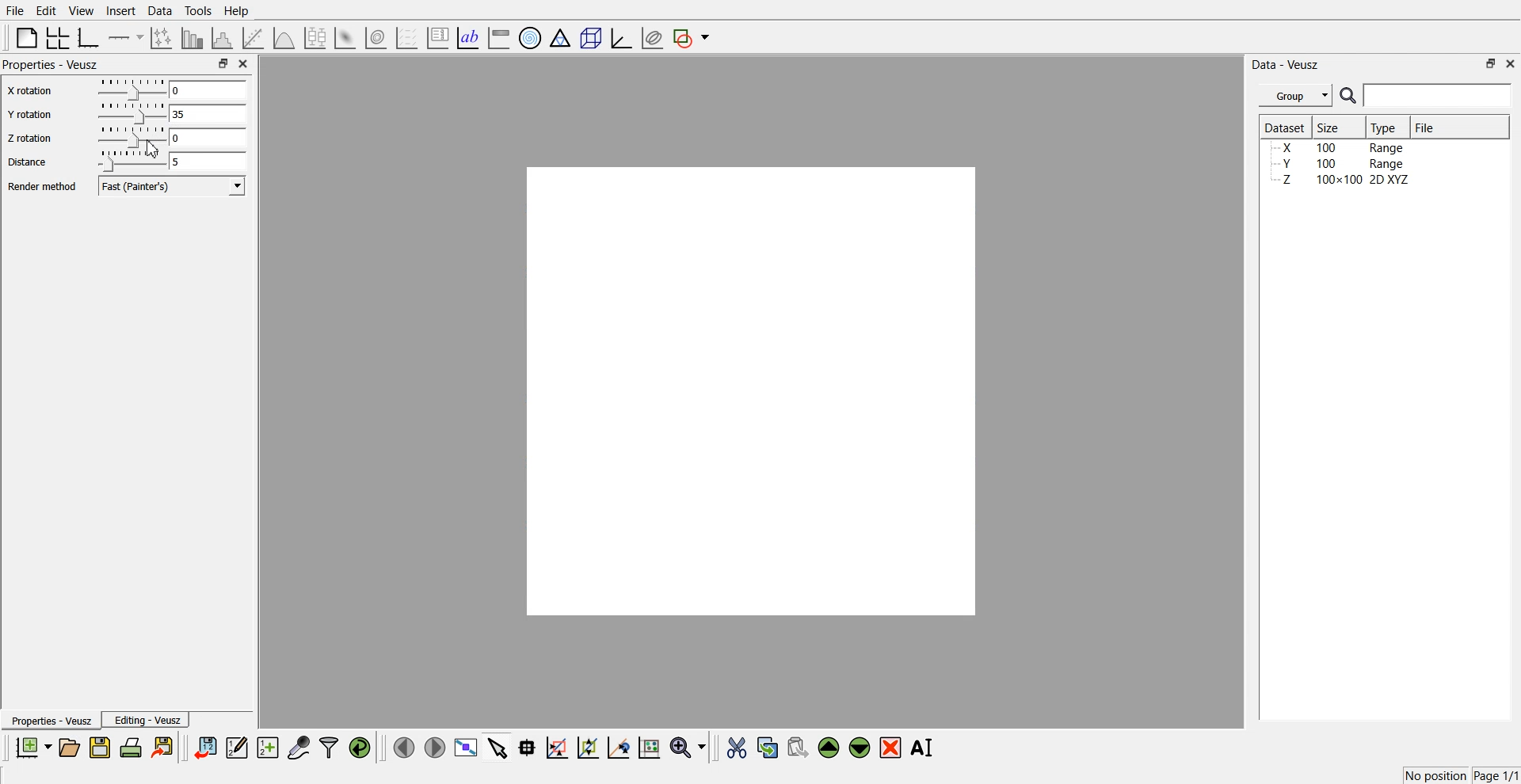 This screenshot has width=1521, height=784. What do you see at coordinates (208, 113) in the screenshot?
I see `35` at bounding box center [208, 113].